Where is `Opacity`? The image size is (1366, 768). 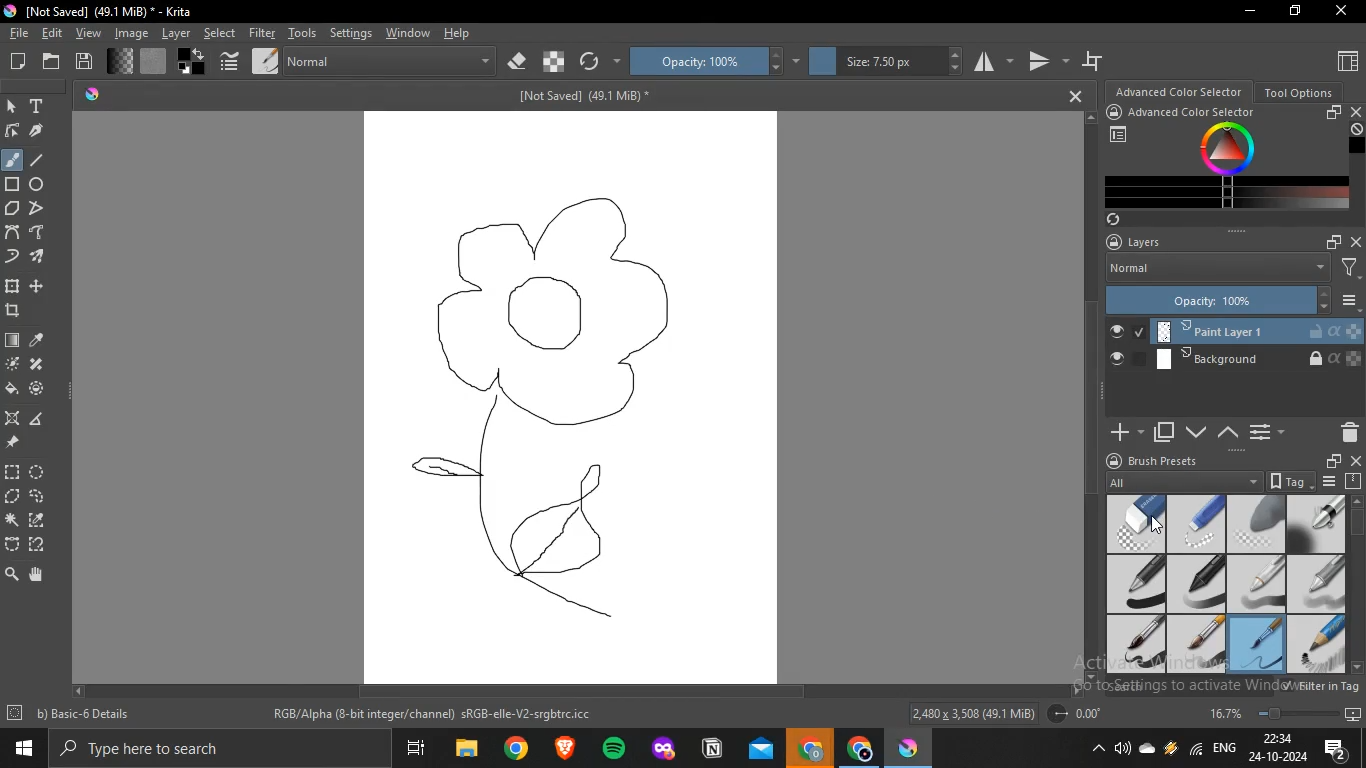 Opacity is located at coordinates (1218, 298).